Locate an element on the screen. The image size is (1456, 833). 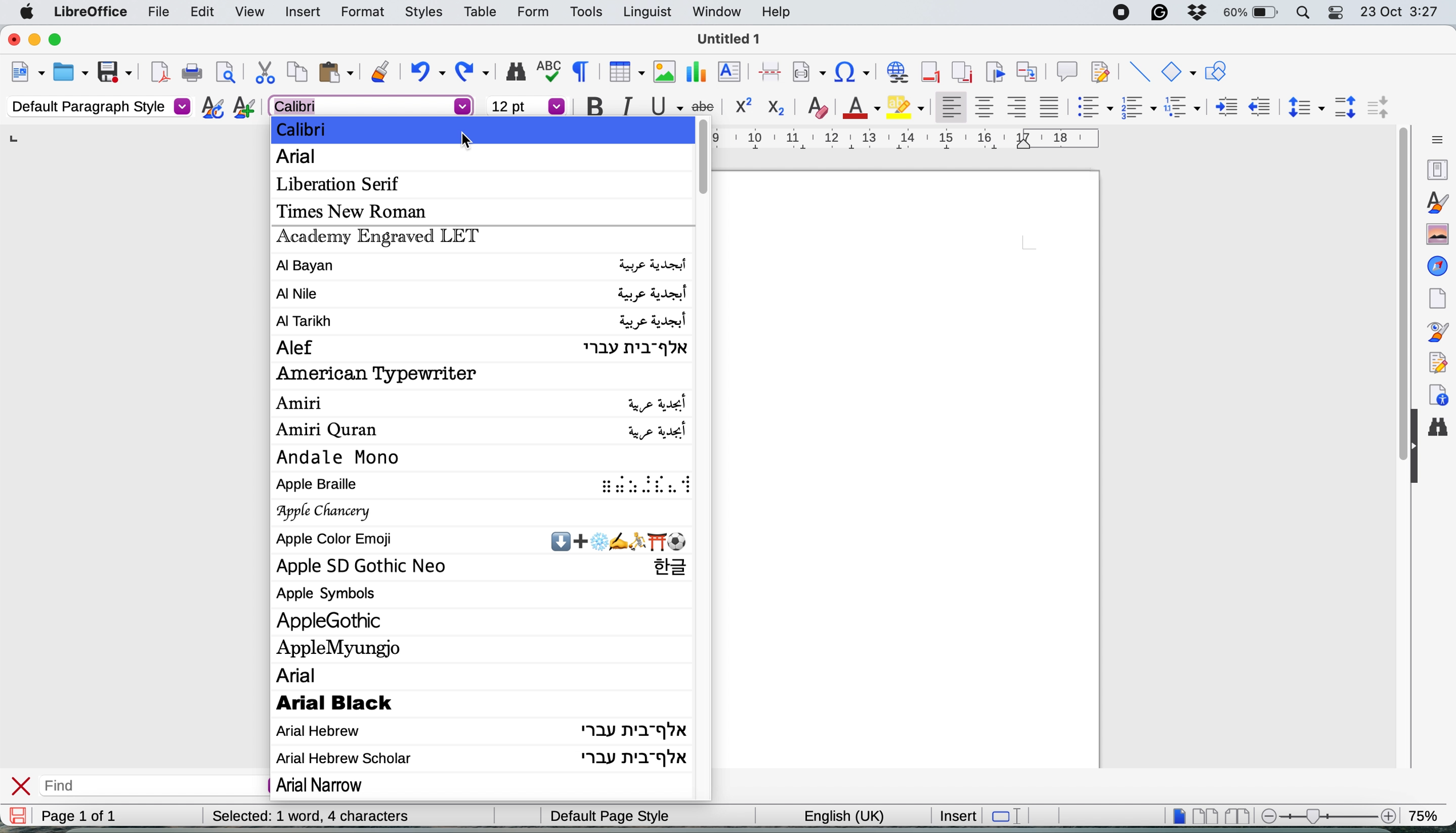
styles is located at coordinates (418, 13).